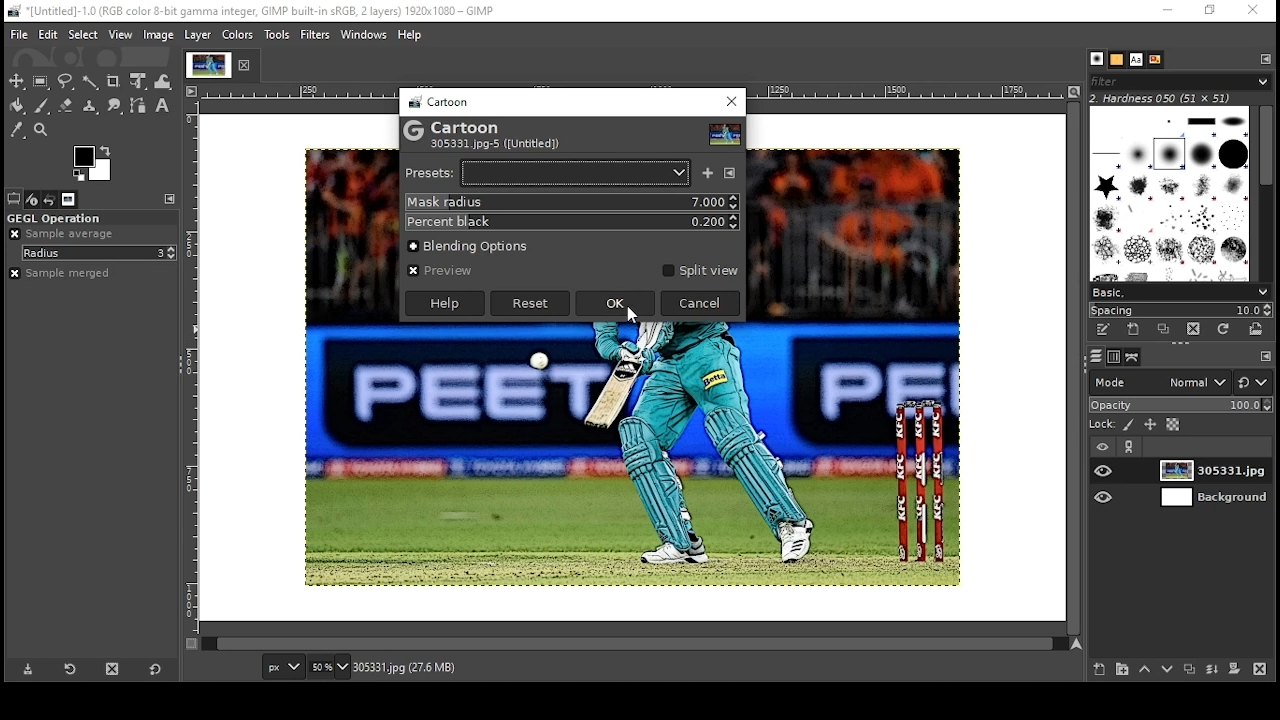  I want to click on edit, so click(50, 35).